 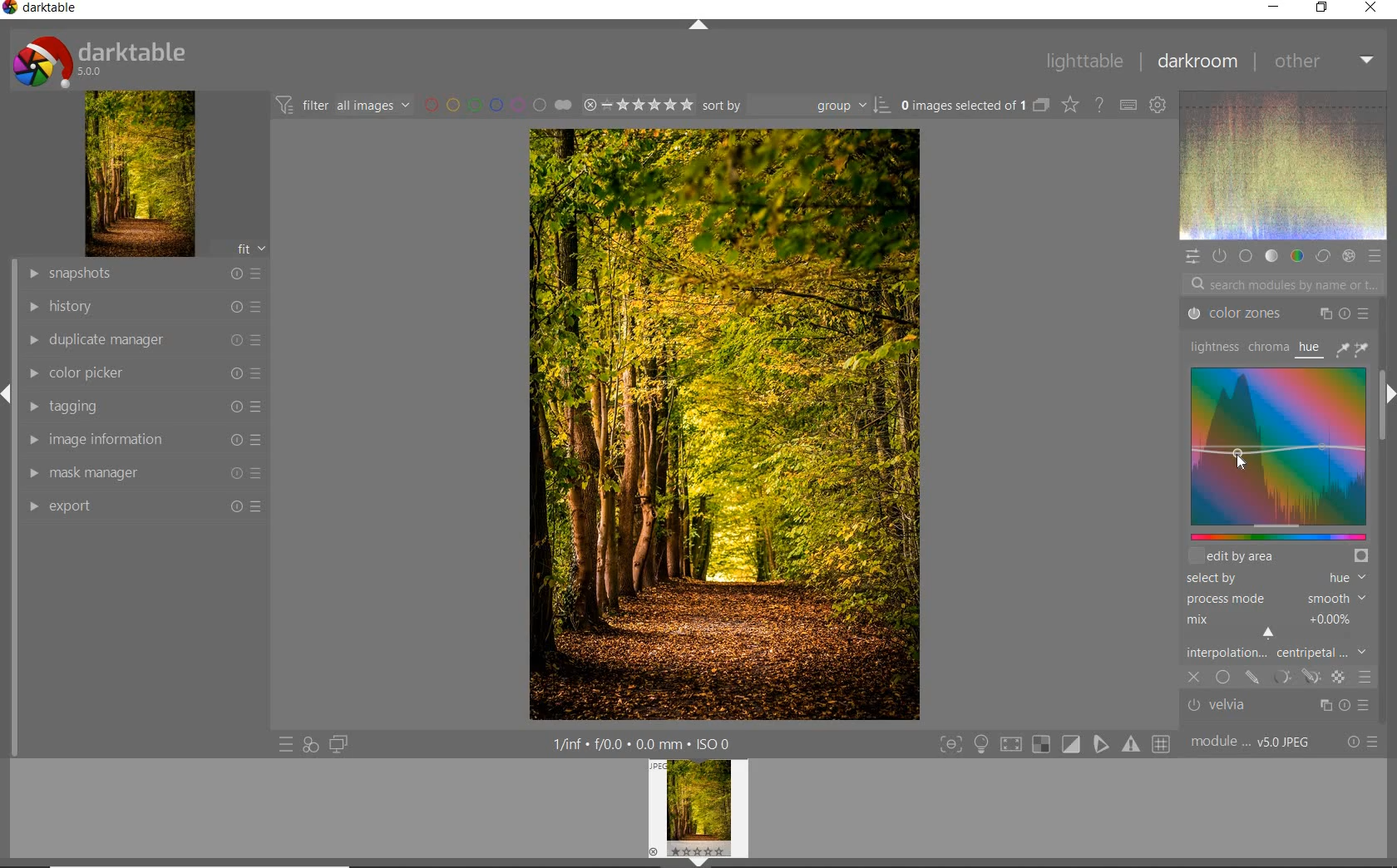 What do you see at coordinates (1281, 707) in the screenshot?
I see `velvia` at bounding box center [1281, 707].